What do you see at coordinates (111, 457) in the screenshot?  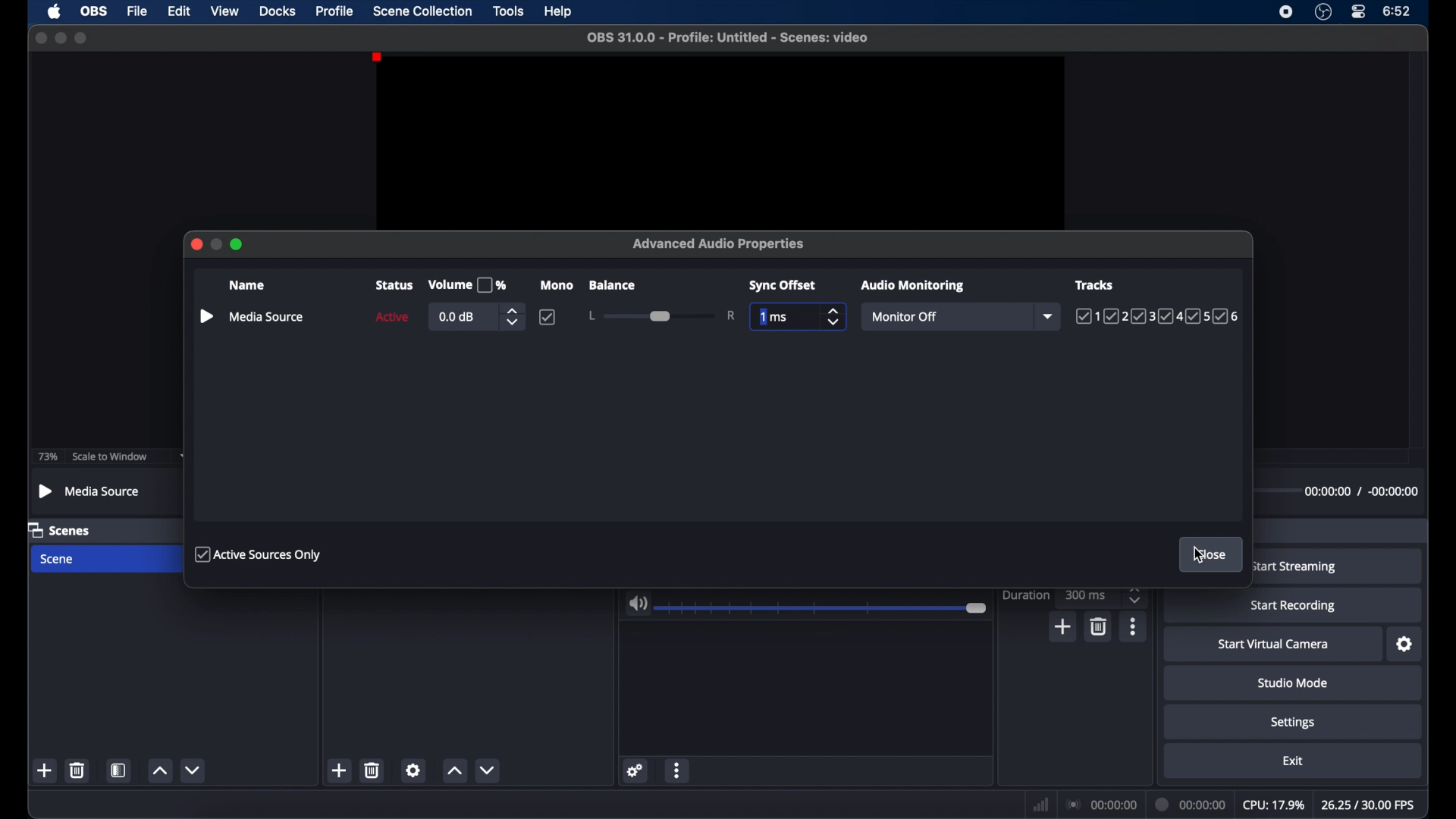 I see `scale to window` at bounding box center [111, 457].